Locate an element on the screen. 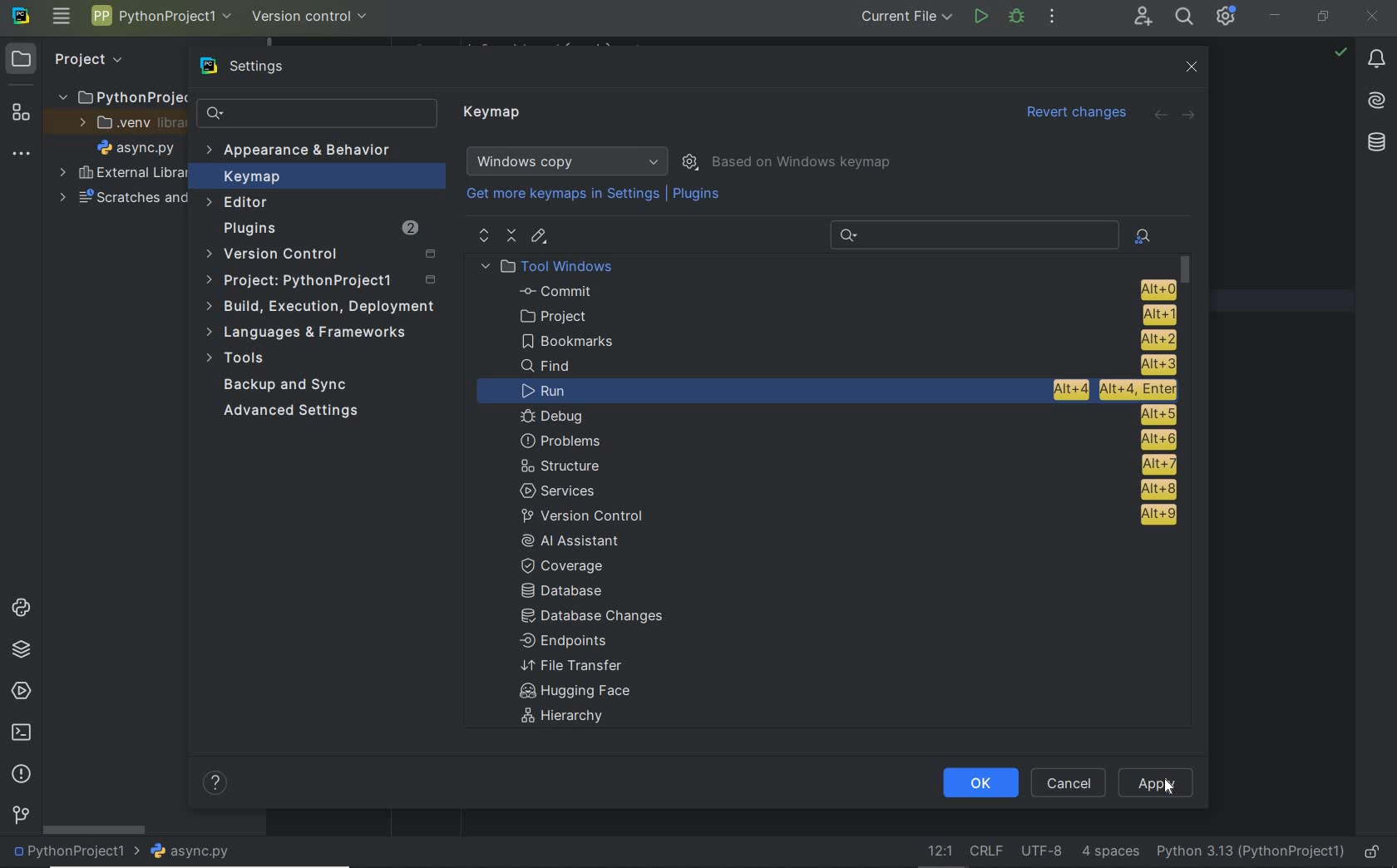  minimize is located at coordinates (1276, 15).